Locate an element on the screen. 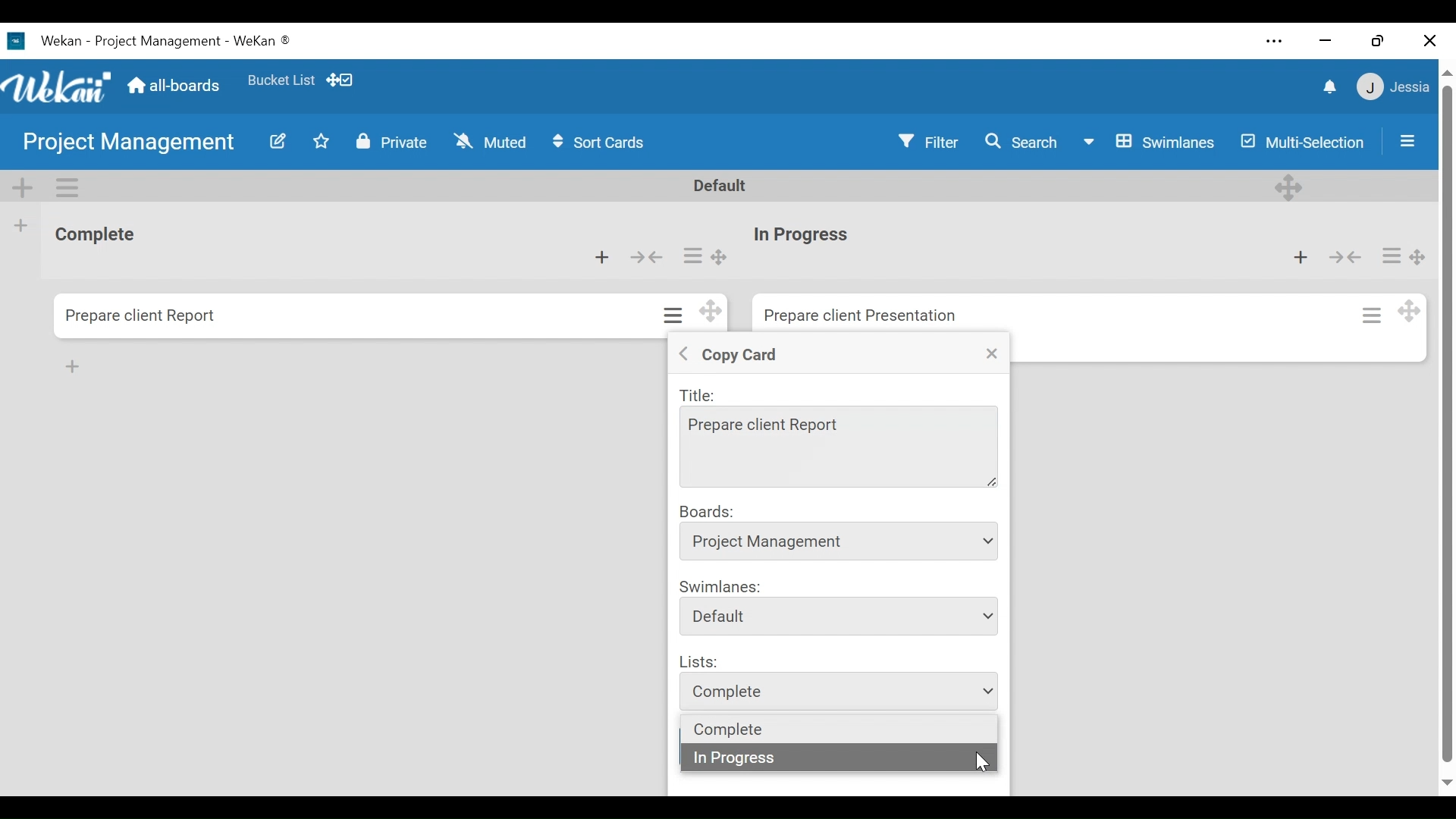 This screenshot has height=819, width=1456. Swimlanes dropdown menu is located at coordinates (843, 617).